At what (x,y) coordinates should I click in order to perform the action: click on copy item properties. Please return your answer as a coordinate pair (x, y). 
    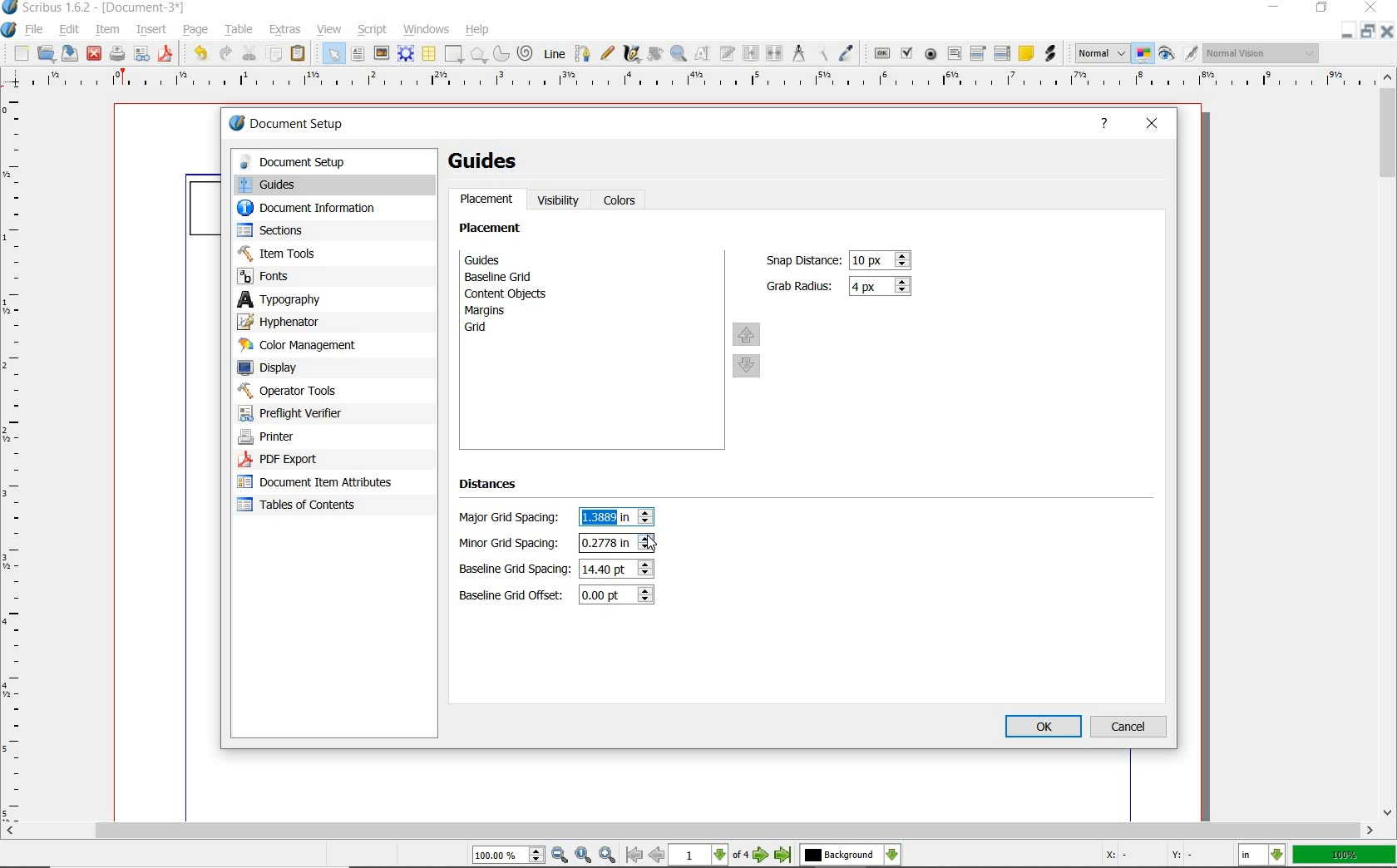
    Looking at the image, I should click on (821, 52).